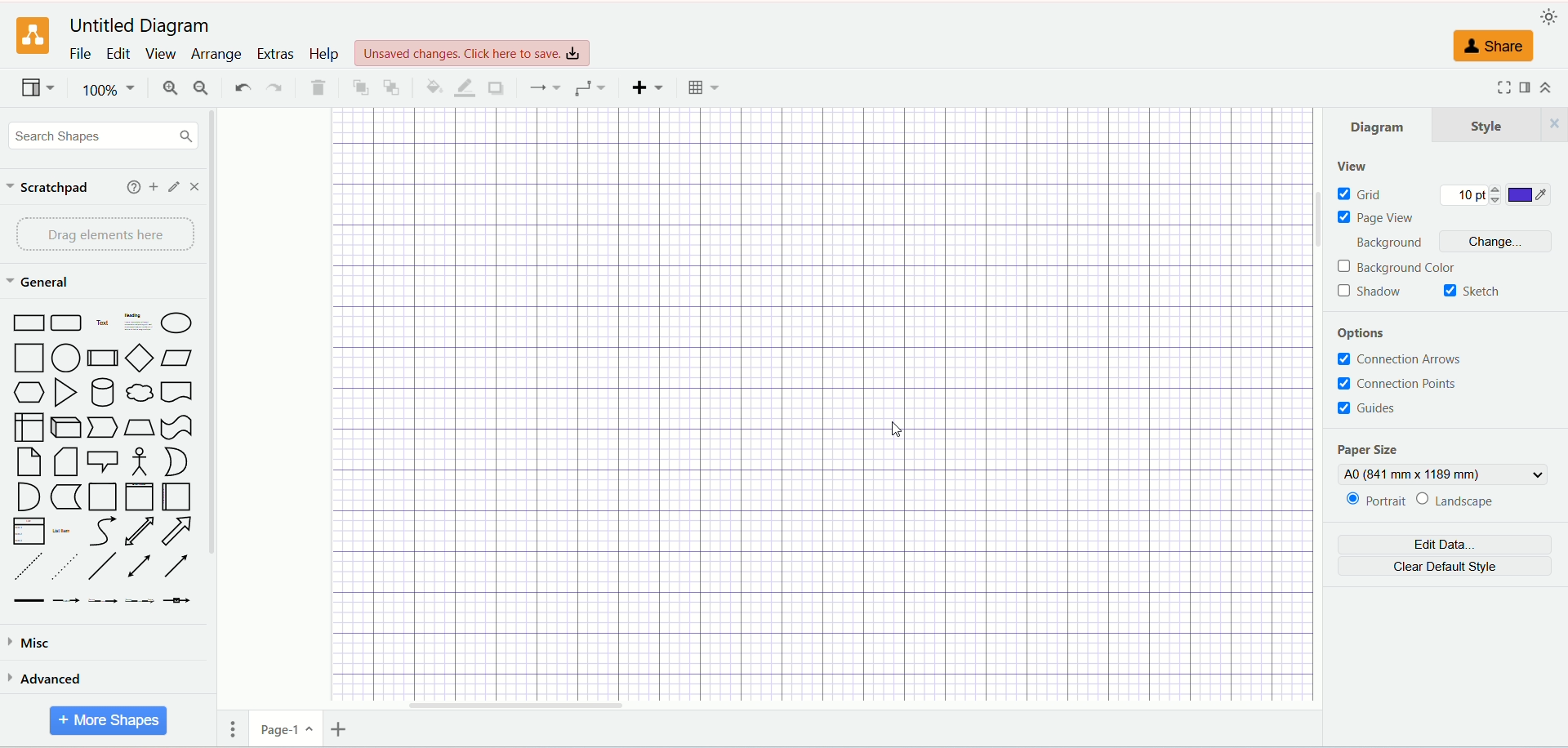 Image resolution: width=1568 pixels, height=748 pixels. What do you see at coordinates (26, 496) in the screenshot?
I see `And` at bounding box center [26, 496].